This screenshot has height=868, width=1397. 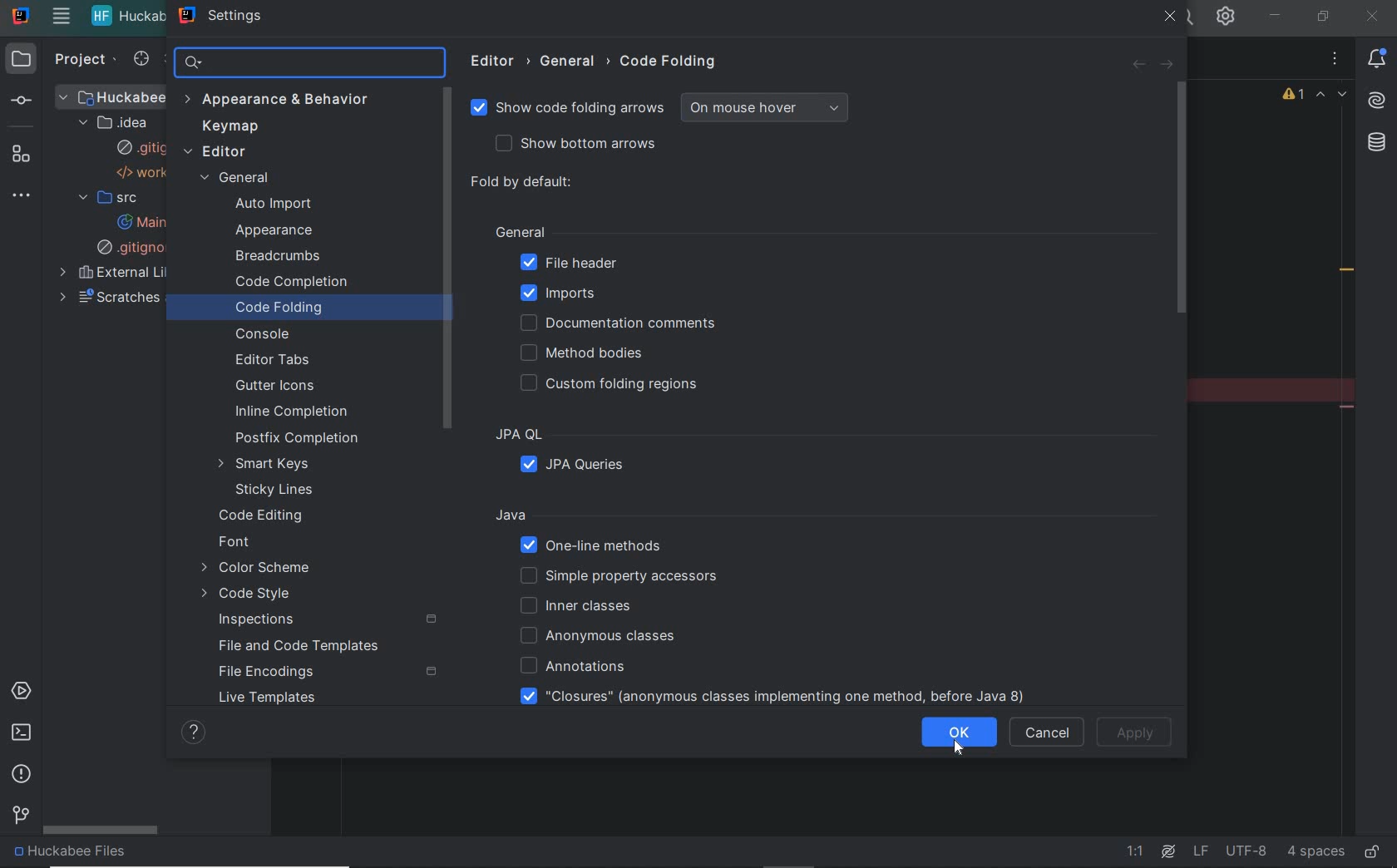 What do you see at coordinates (259, 335) in the screenshot?
I see `console` at bounding box center [259, 335].